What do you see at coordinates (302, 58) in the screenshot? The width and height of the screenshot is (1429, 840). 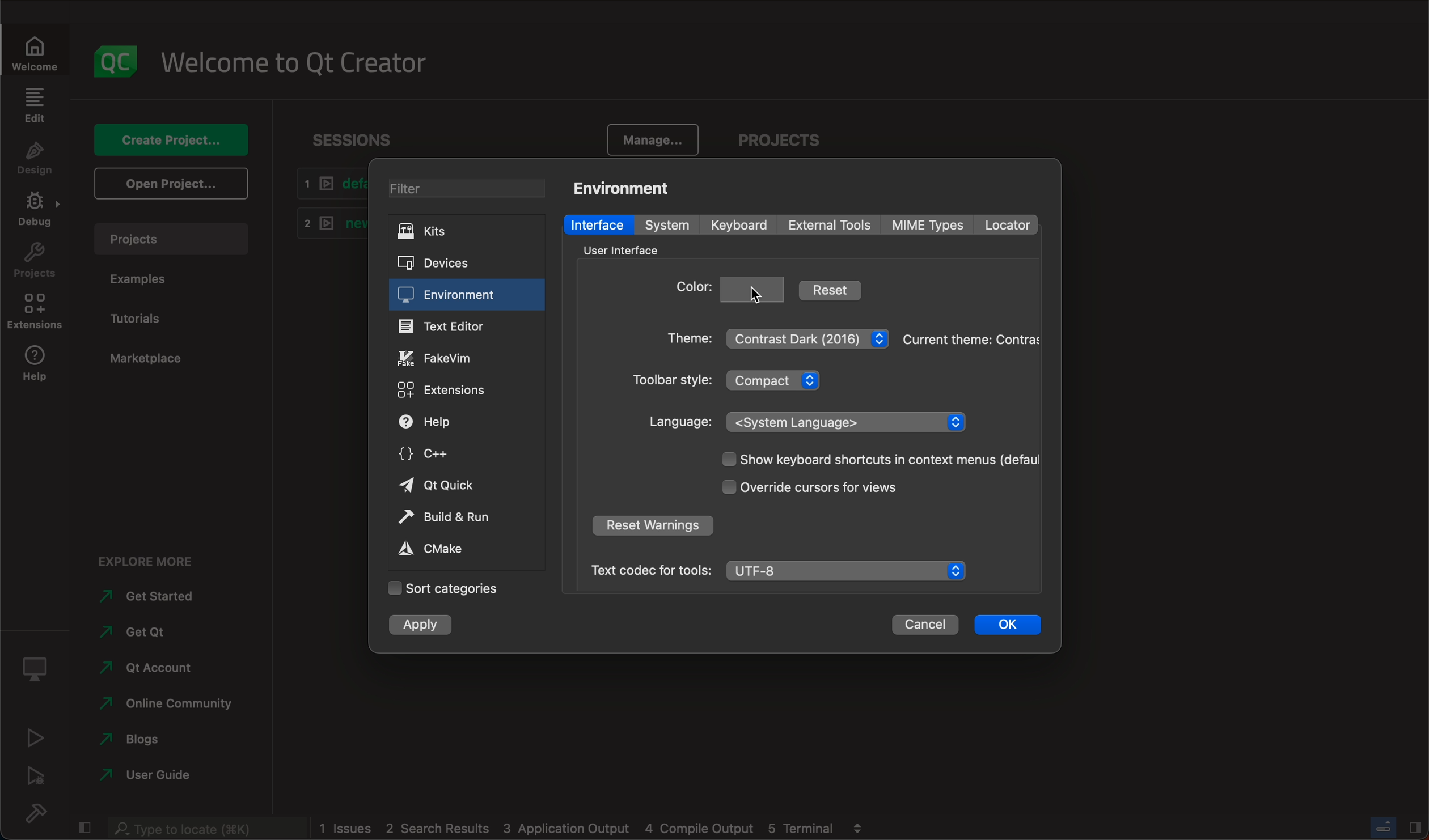 I see `welcomE` at bounding box center [302, 58].